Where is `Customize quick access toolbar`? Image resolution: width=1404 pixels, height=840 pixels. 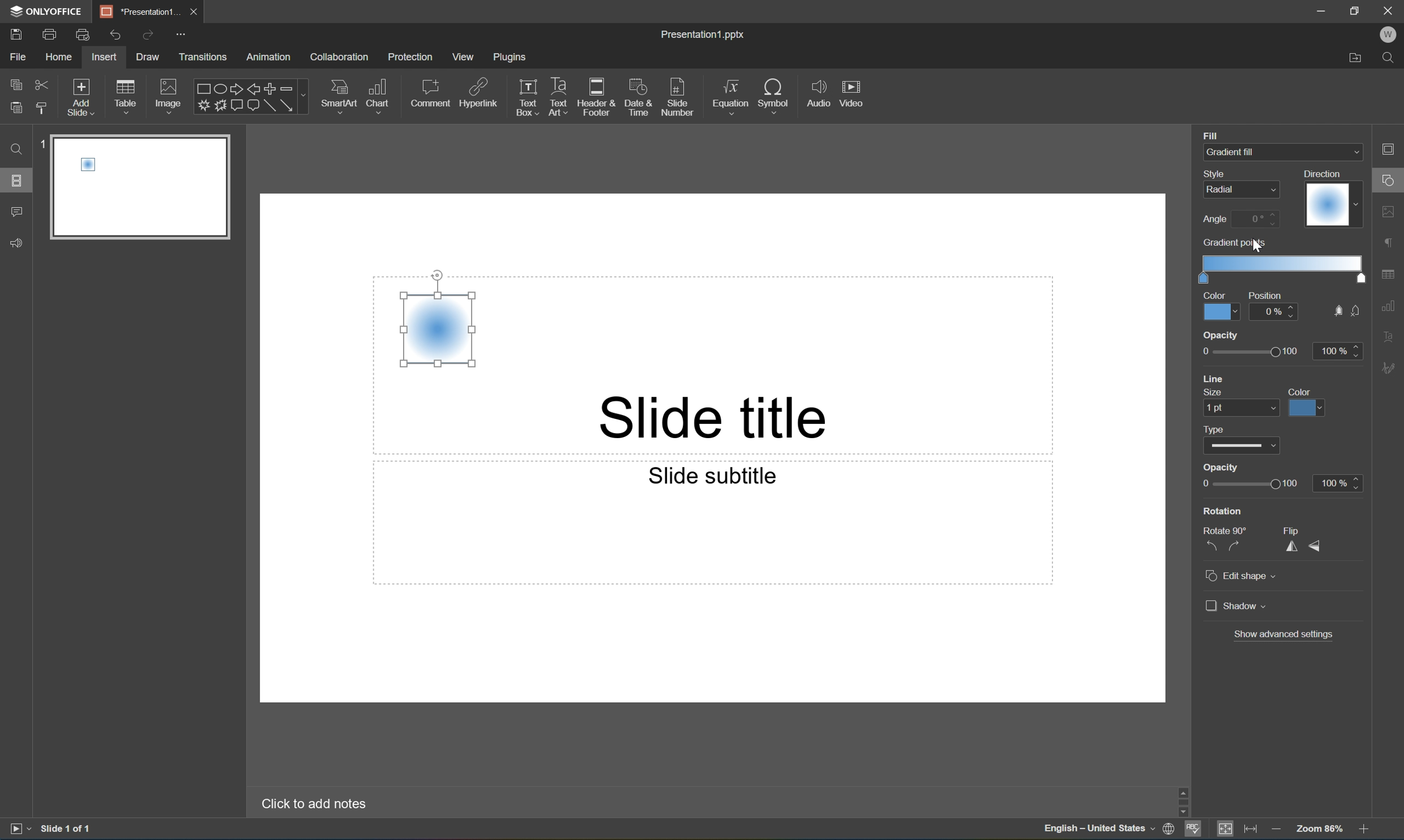
Customize quick access toolbar is located at coordinates (183, 36).